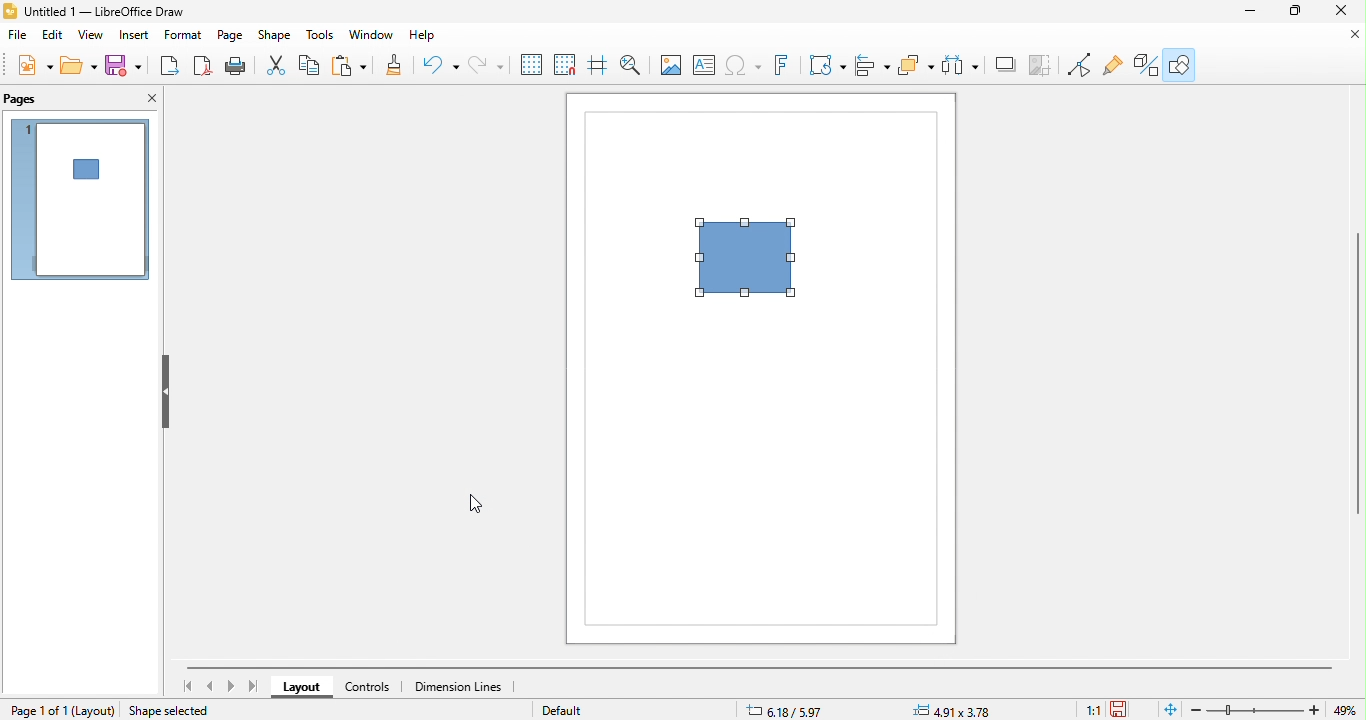 The height and width of the screenshot is (720, 1366). Describe the element at coordinates (212, 686) in the screenshot. I see `previous page` at that location.